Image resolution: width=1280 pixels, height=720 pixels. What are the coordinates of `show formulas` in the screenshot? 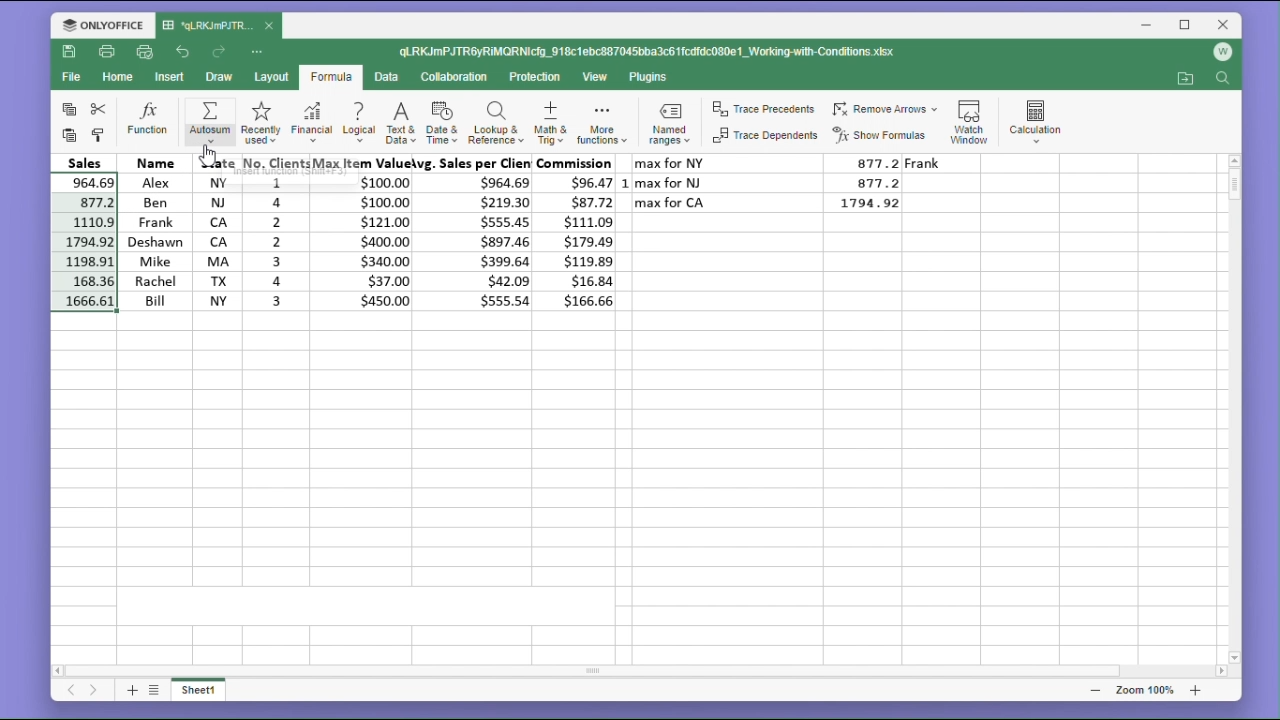 It's located at (884, 135).